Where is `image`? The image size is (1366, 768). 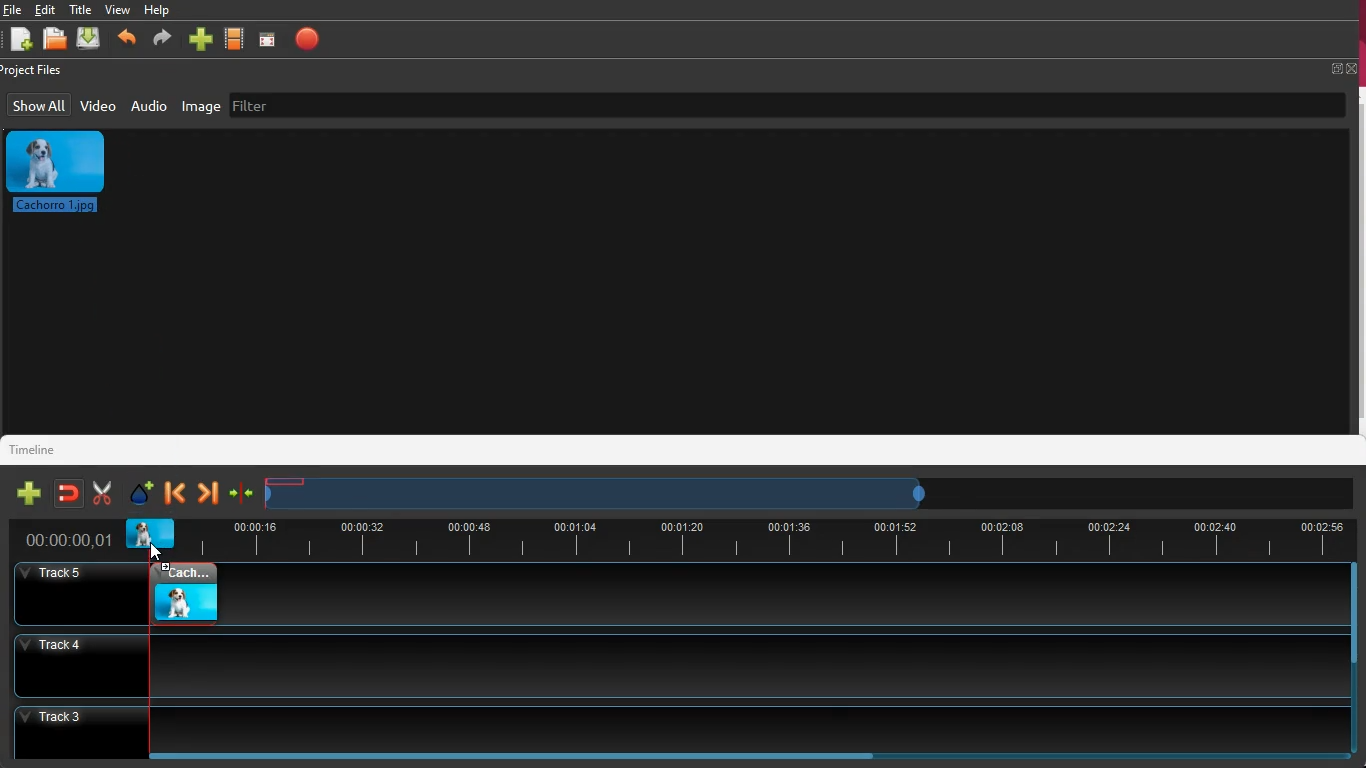 image is located at coordinates (67, 176).